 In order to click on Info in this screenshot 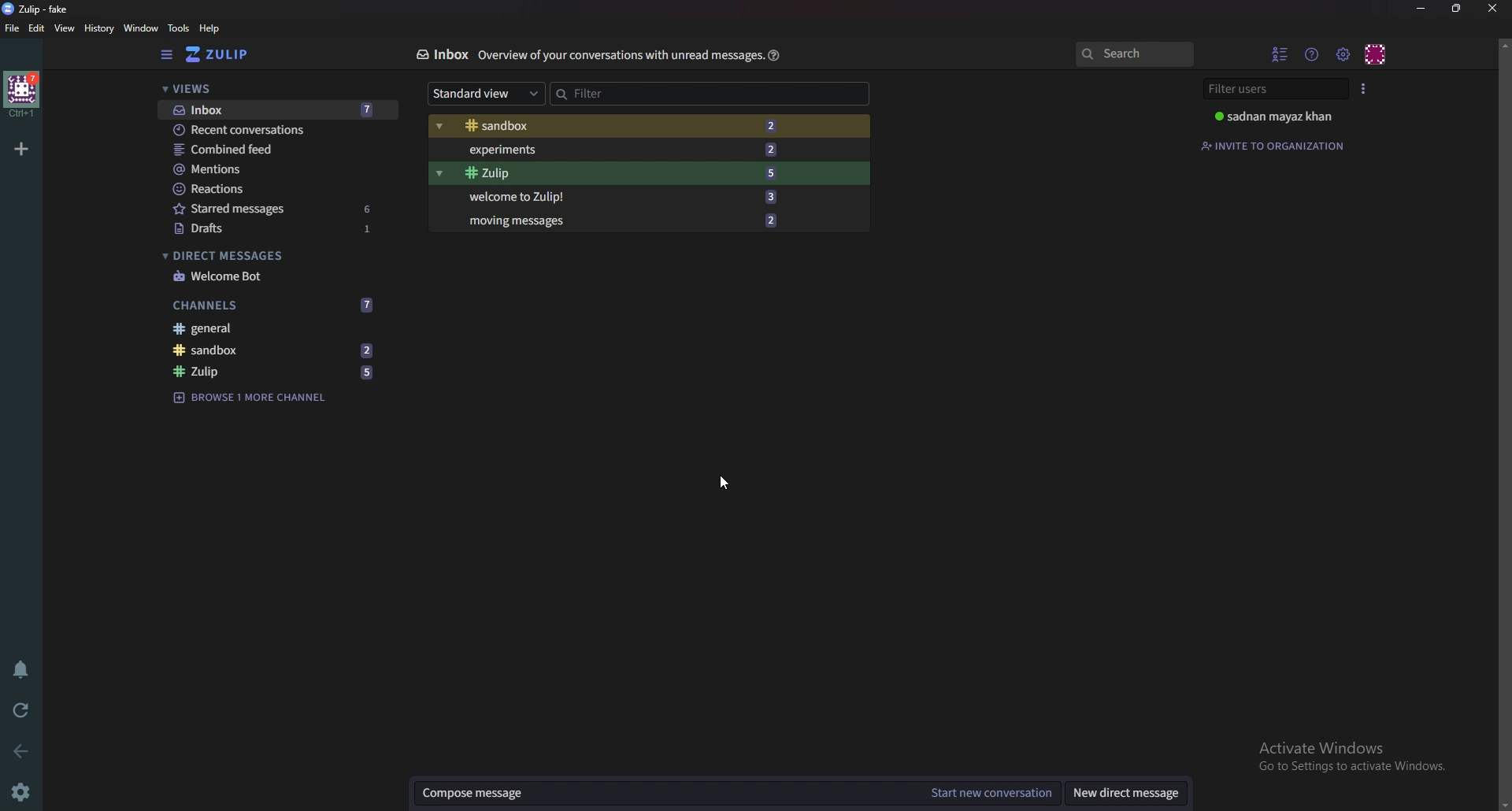, I will do `click(619, 56)`.